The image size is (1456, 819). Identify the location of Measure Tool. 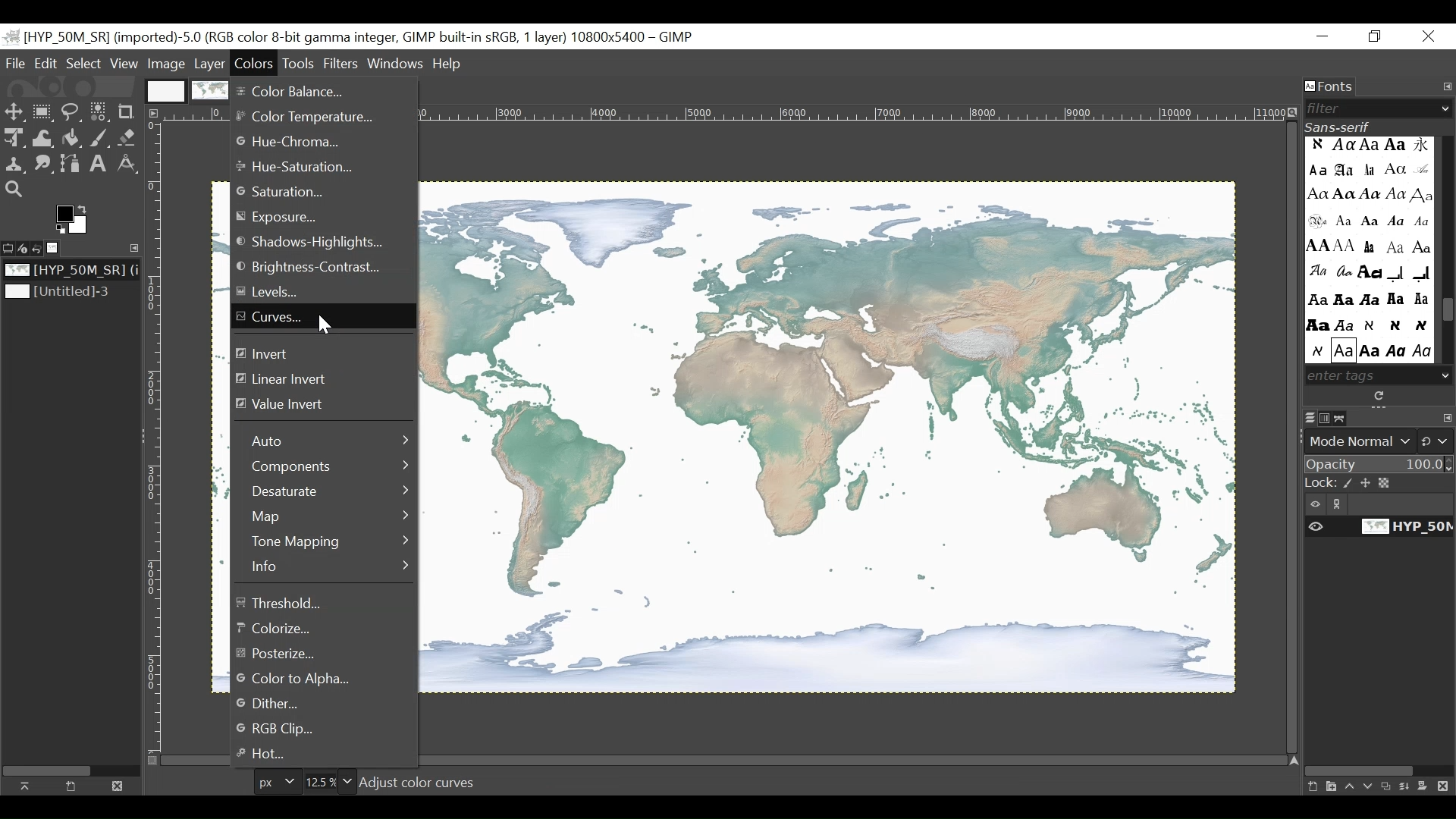
(126, 163).